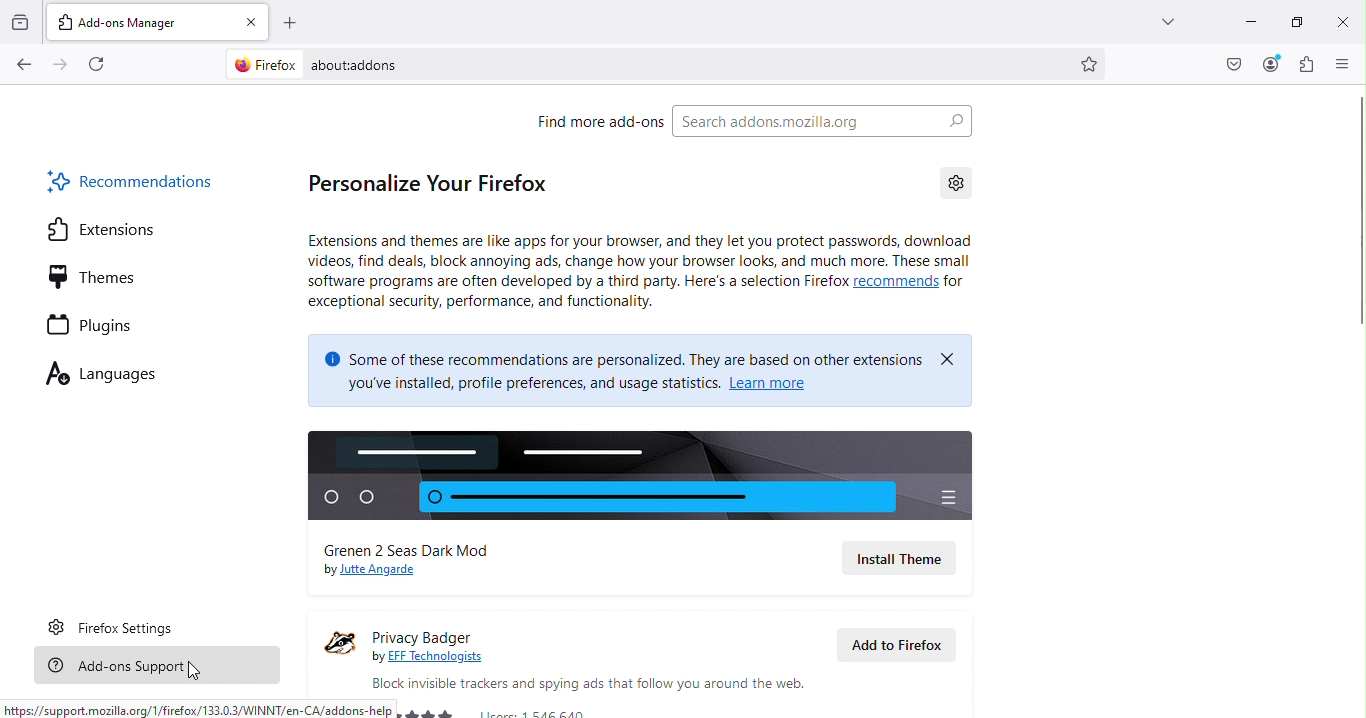  What do you see at coordinates (1357, 211) in the screenshot?
I see `vertical scrollbar` at bounding box center [1357, 211].